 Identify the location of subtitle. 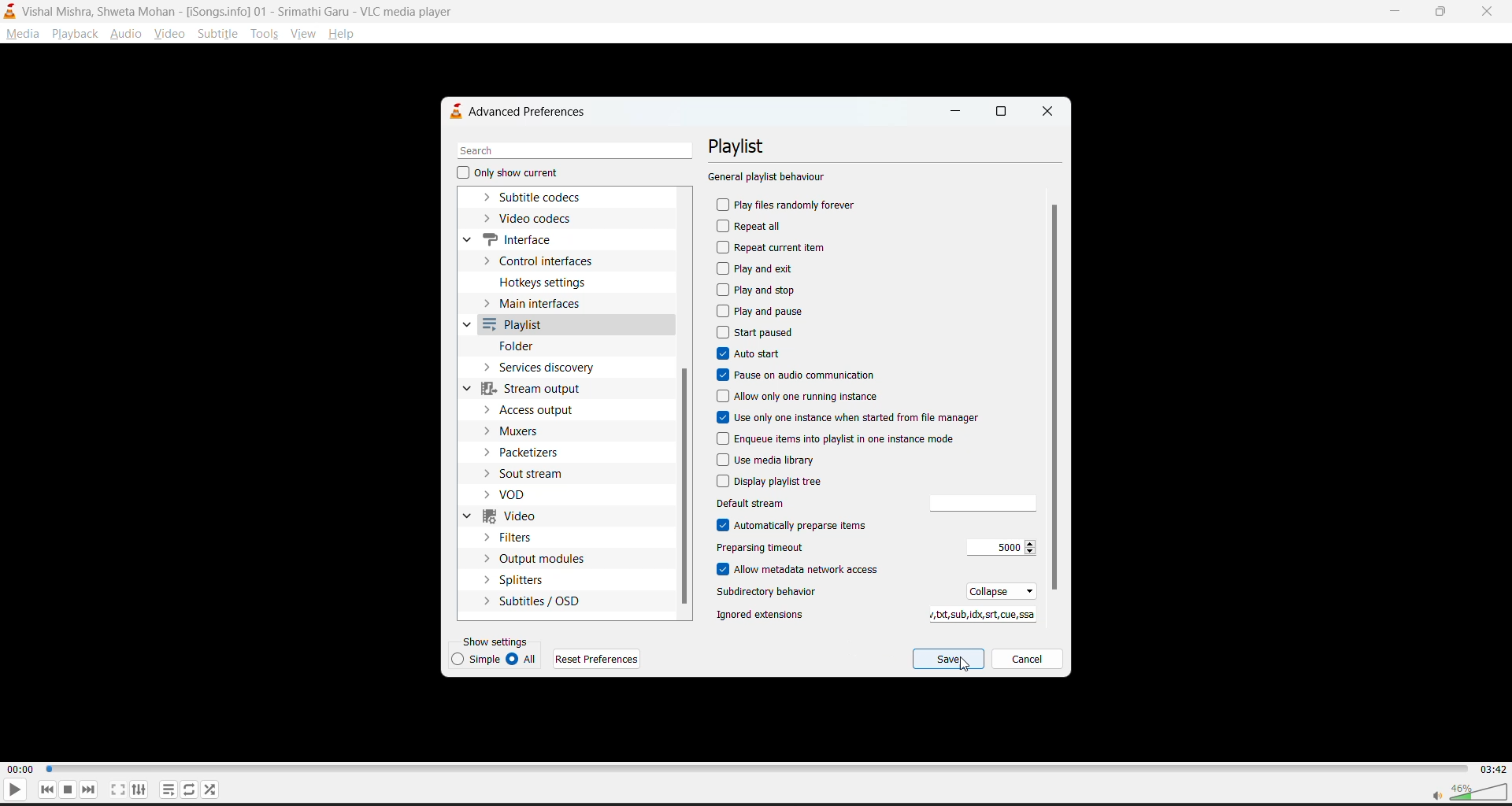
(218, 35).